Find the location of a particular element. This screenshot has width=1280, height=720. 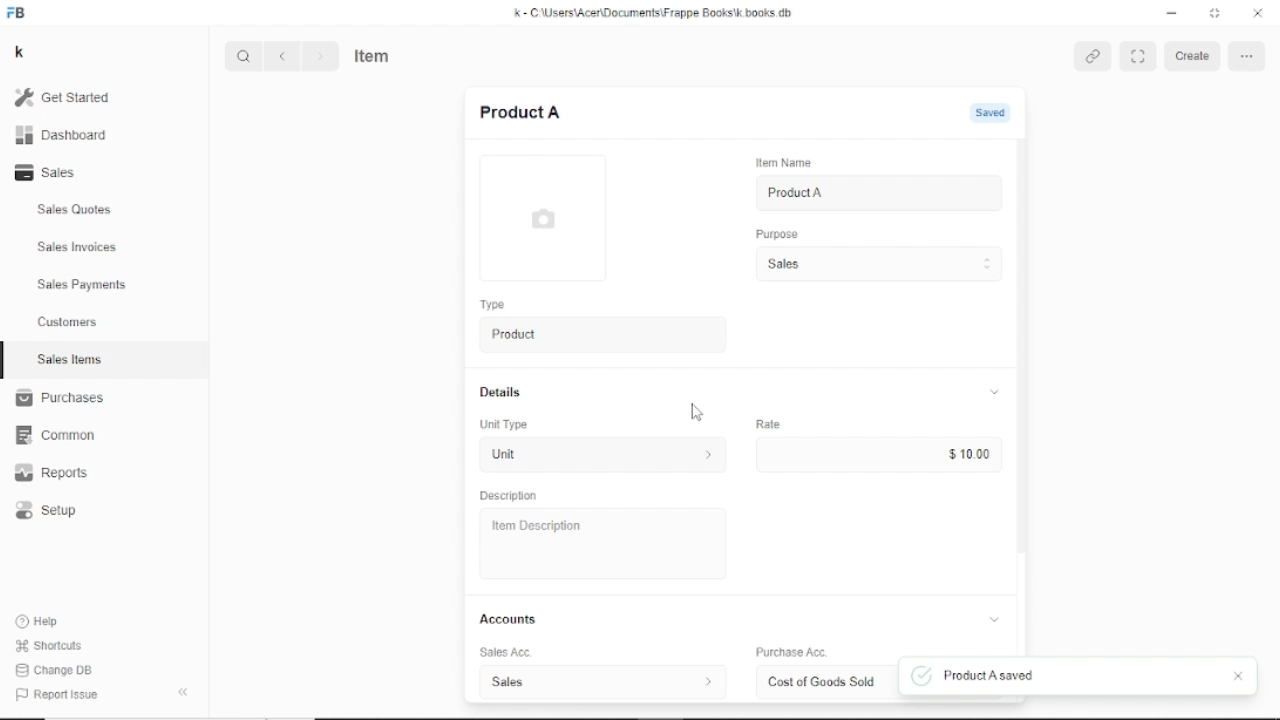

Report issue is located at coordinates (54, 693).